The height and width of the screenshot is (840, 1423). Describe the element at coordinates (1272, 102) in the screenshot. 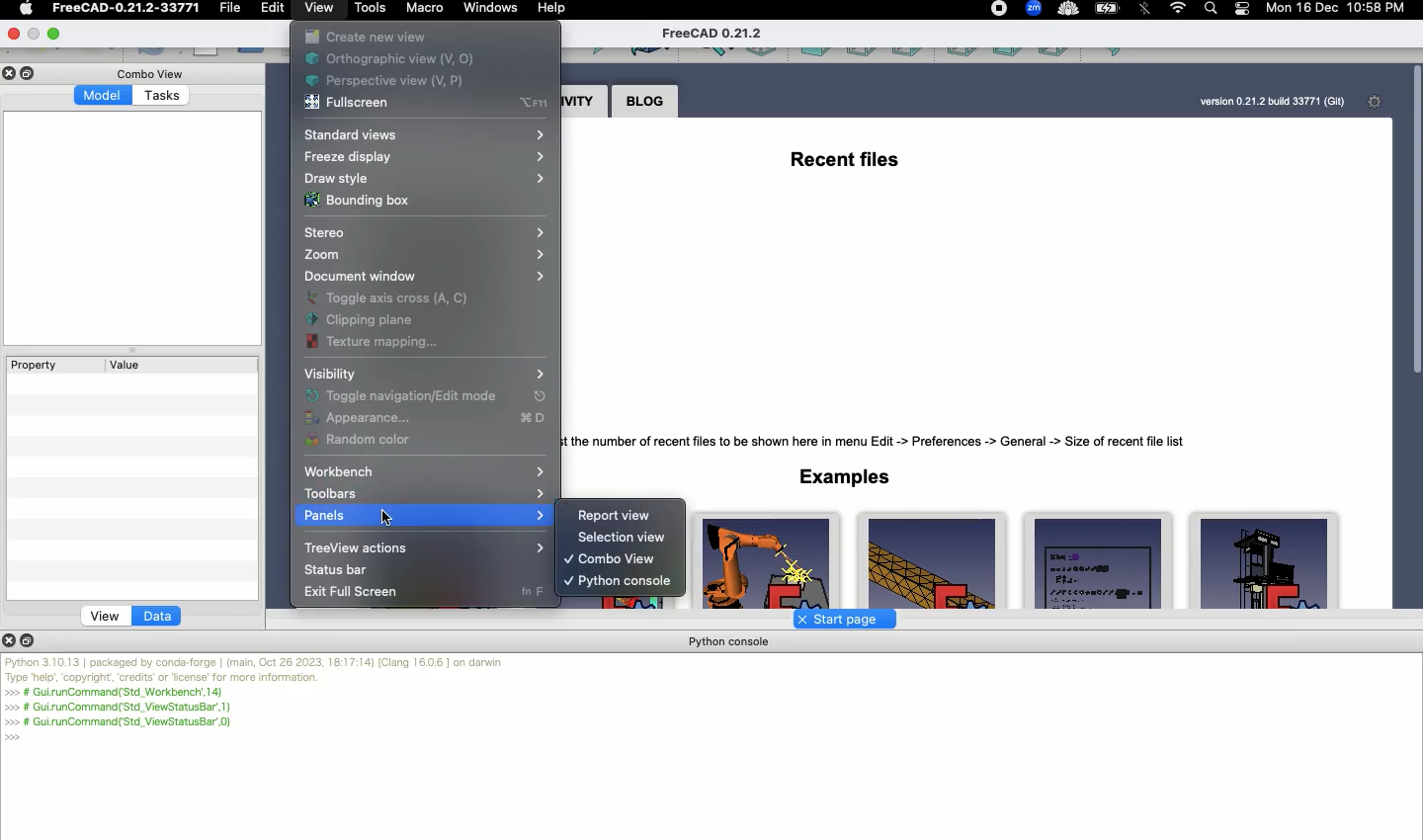

I see `version 0.21.2 build 33771 (Git)` at that location.